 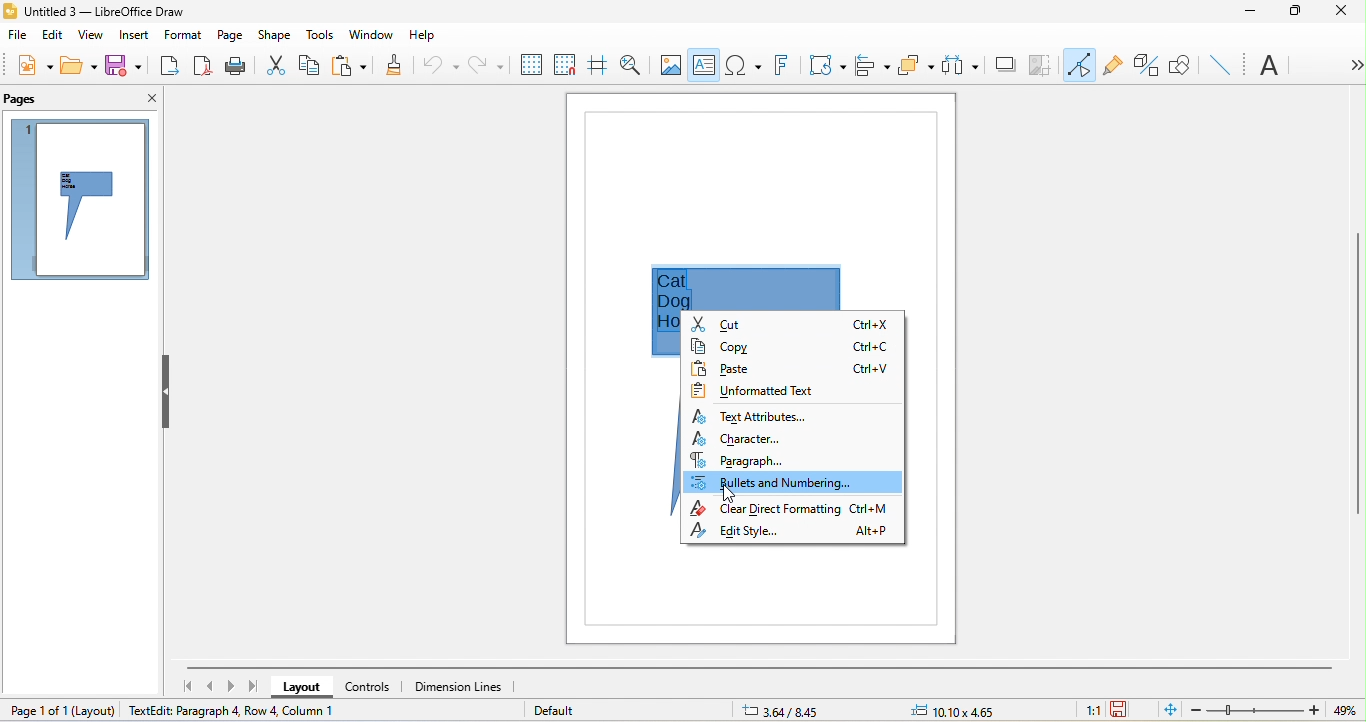 I want to click on paste, so click(x=349, y=66).